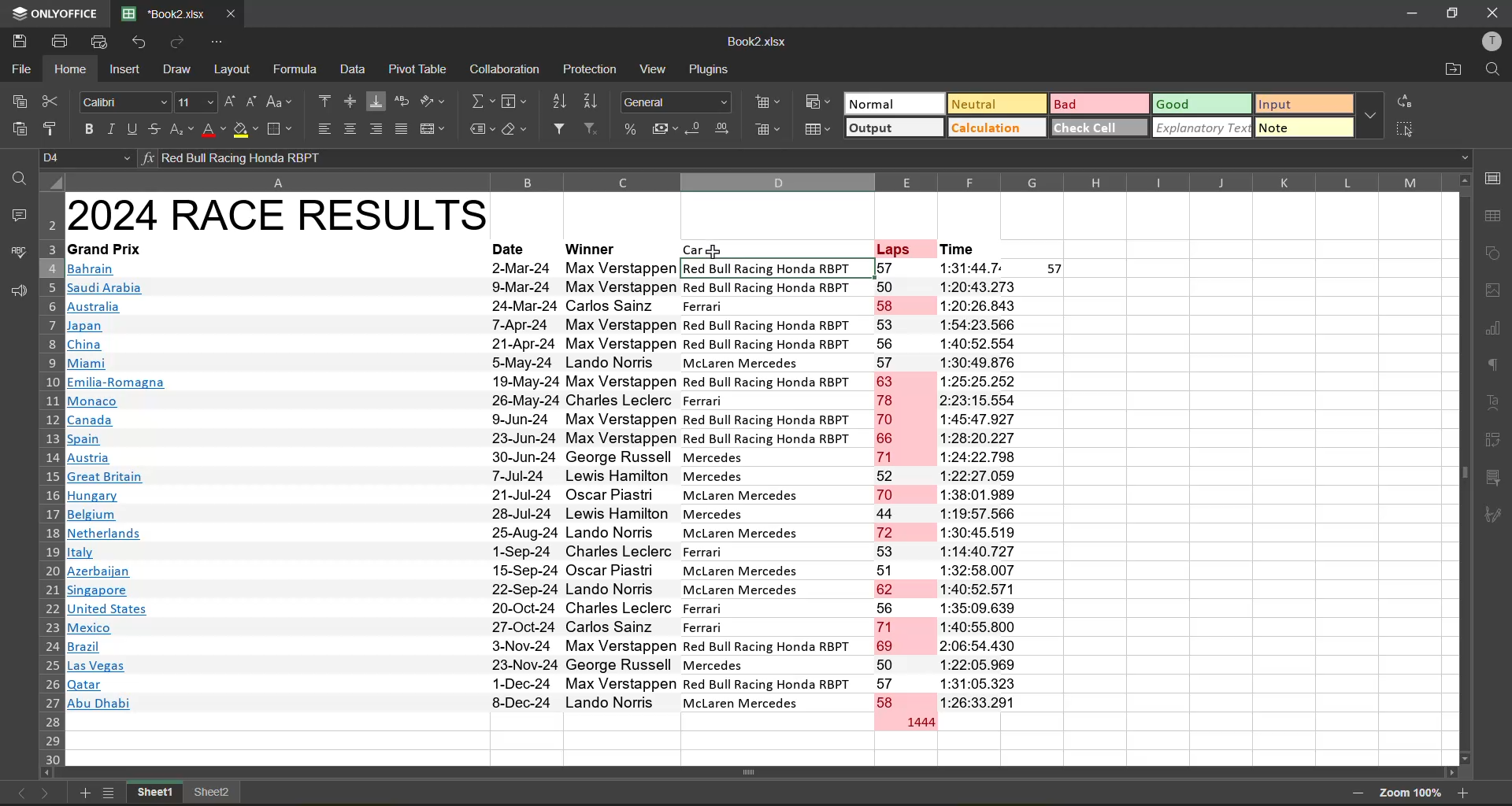 The height and width of the screenshot is (806, 1512). What do you see at coordinates (82, 793) in the screenshot?
I see `add new sheet` at bounding box center [82, 793].